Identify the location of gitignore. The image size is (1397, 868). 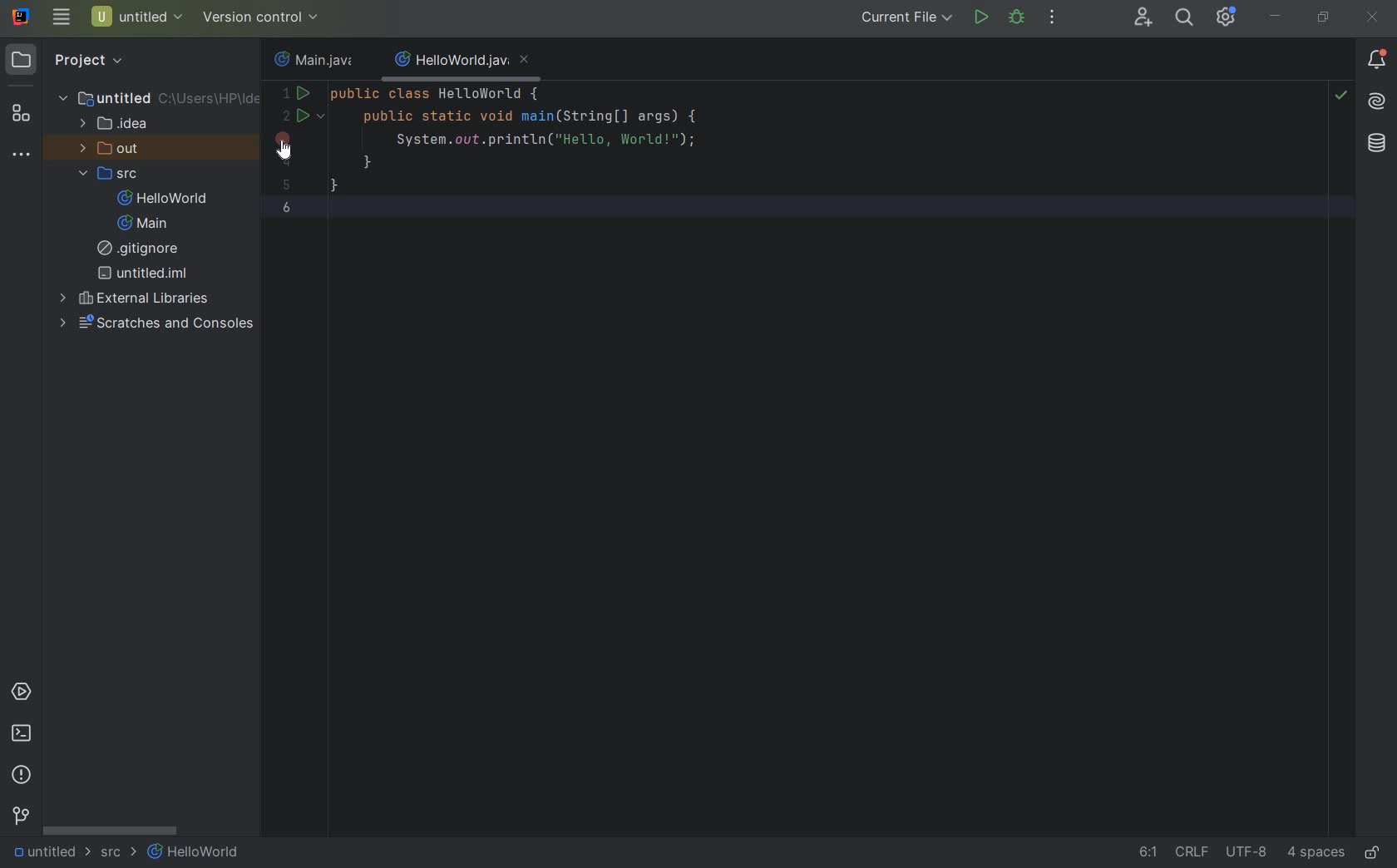
(142, 250).